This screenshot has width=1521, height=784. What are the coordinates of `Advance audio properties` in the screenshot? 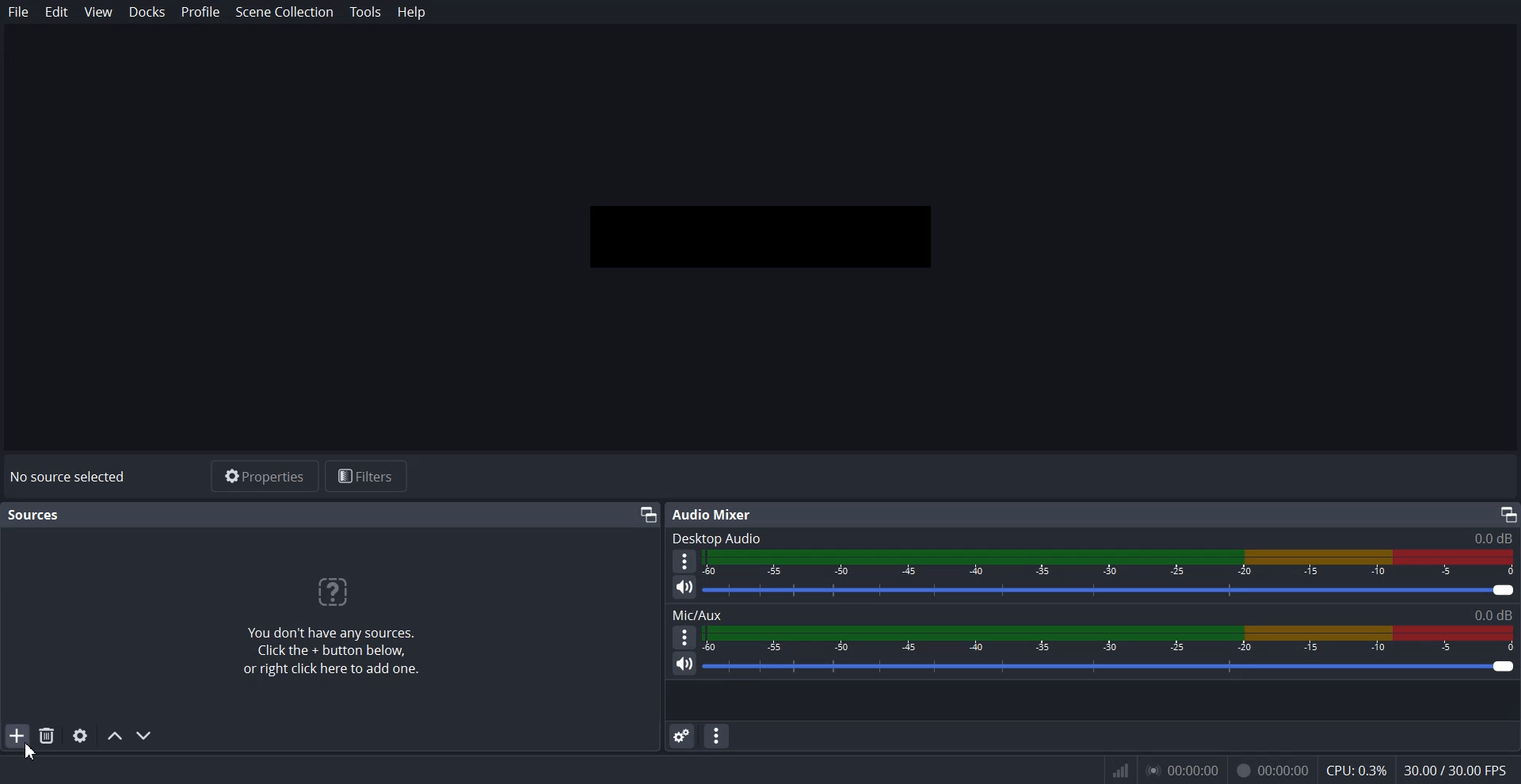 It's located at (681, 736).